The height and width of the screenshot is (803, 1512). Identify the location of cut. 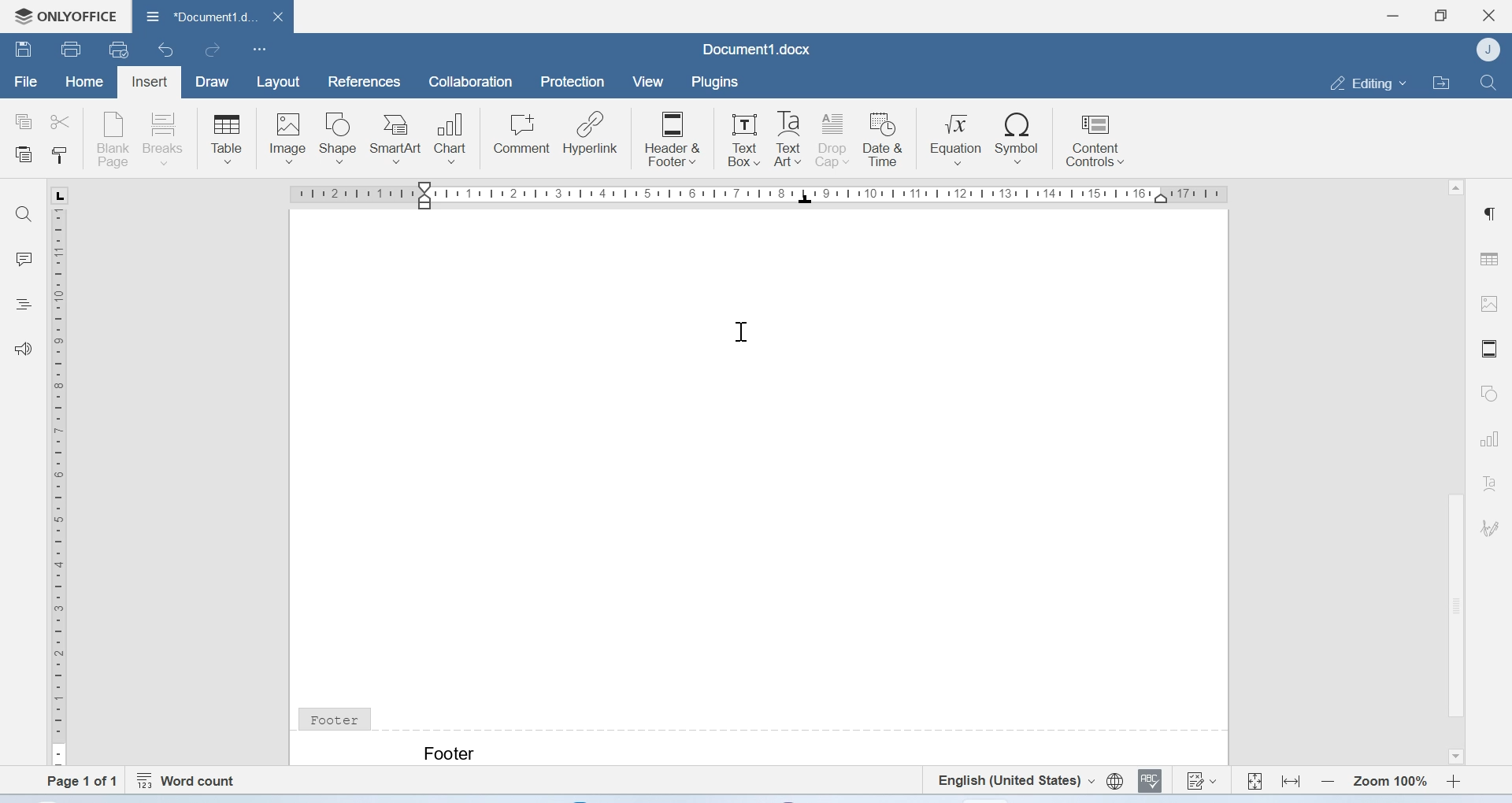
(64, 120).